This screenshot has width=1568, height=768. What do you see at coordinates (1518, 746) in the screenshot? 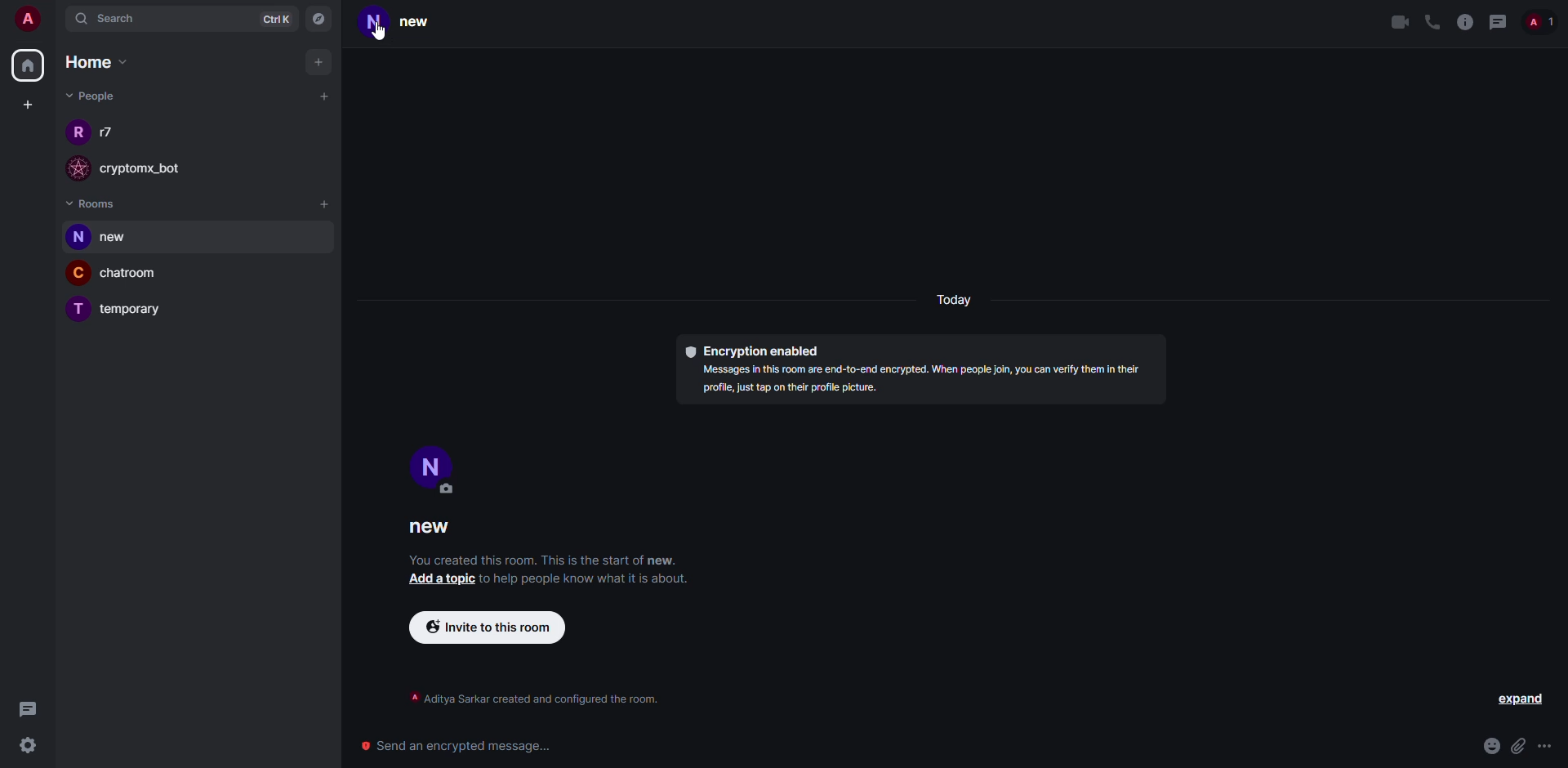
I see `attach` at bounding box center [1518, 746].